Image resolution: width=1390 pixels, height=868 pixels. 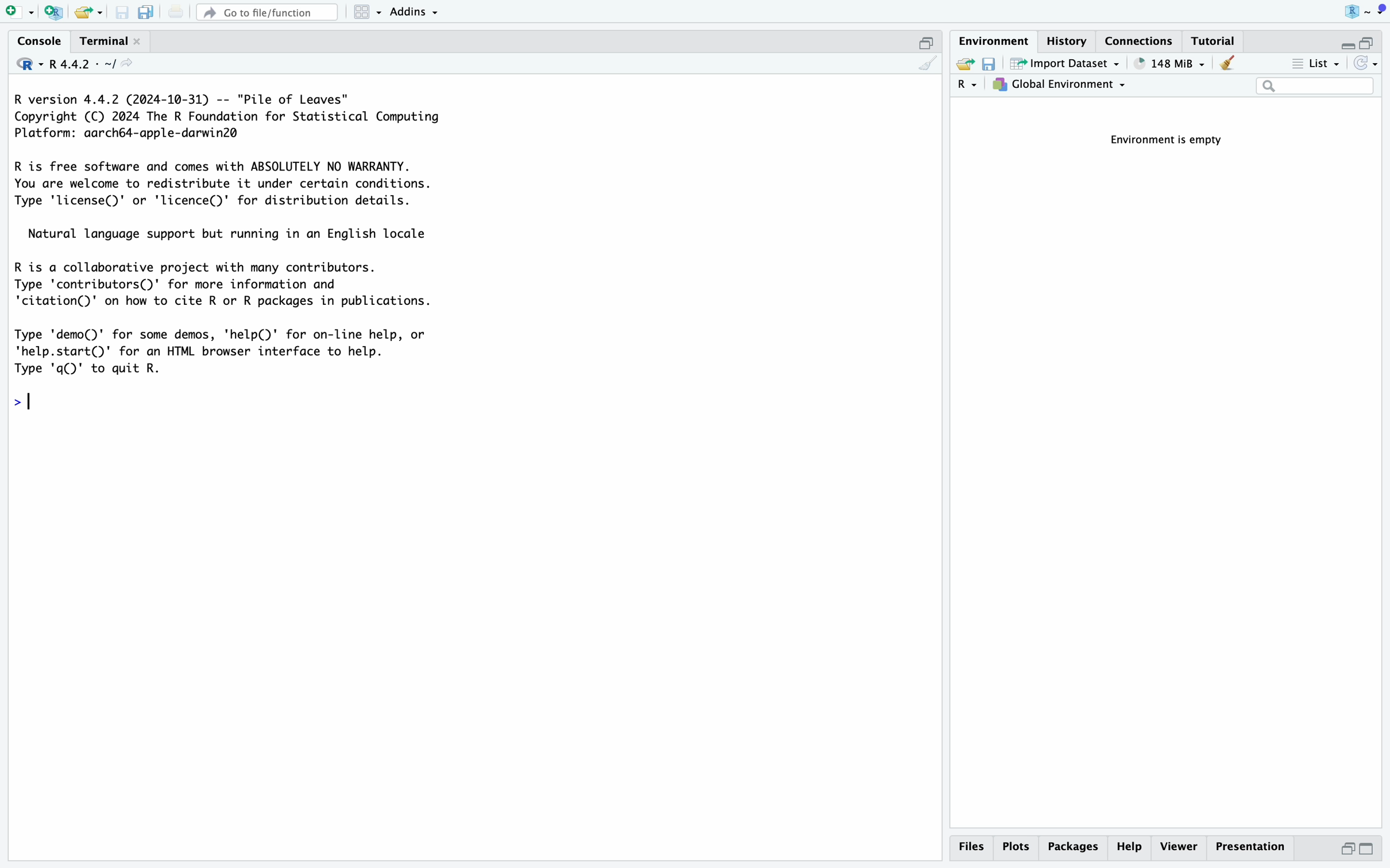 What do you see at coordinates (17, 11) in the screenshot?
I see `new file` at bounding box center [17, 11].